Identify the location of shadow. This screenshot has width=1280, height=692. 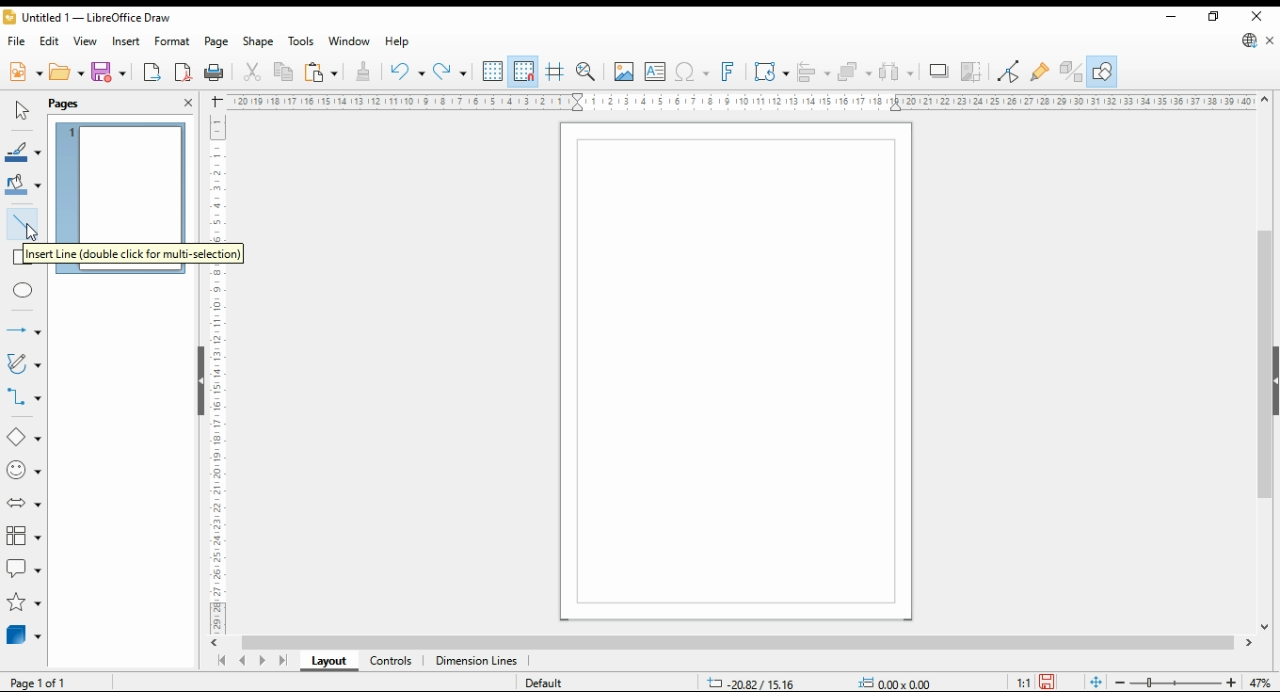
(940, 71).